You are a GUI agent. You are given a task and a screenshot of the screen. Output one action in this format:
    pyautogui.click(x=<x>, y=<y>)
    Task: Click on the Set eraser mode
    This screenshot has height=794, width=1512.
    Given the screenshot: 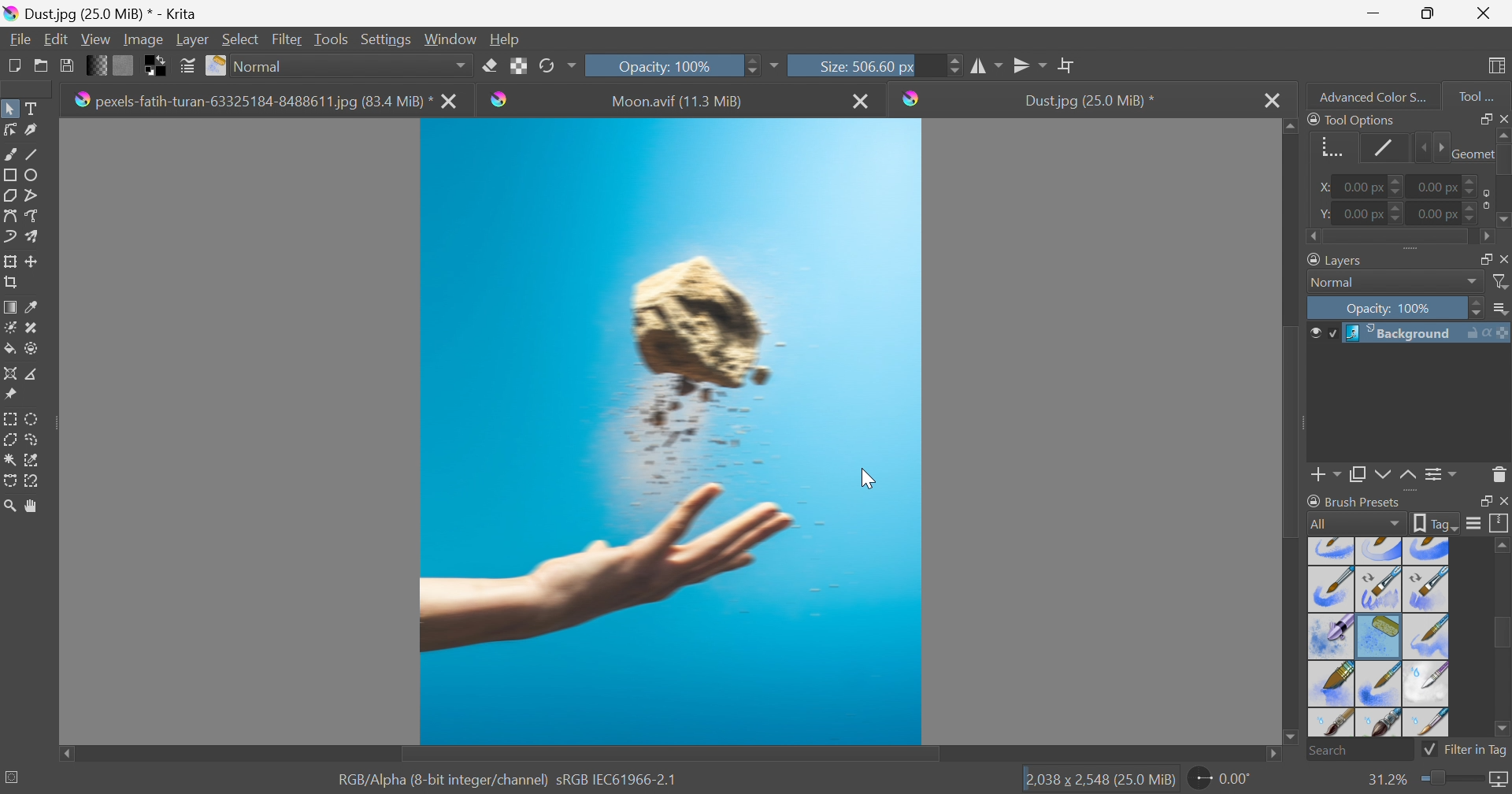 What is the action you would take?
    pyautogui.click(x=489, y=64)
    